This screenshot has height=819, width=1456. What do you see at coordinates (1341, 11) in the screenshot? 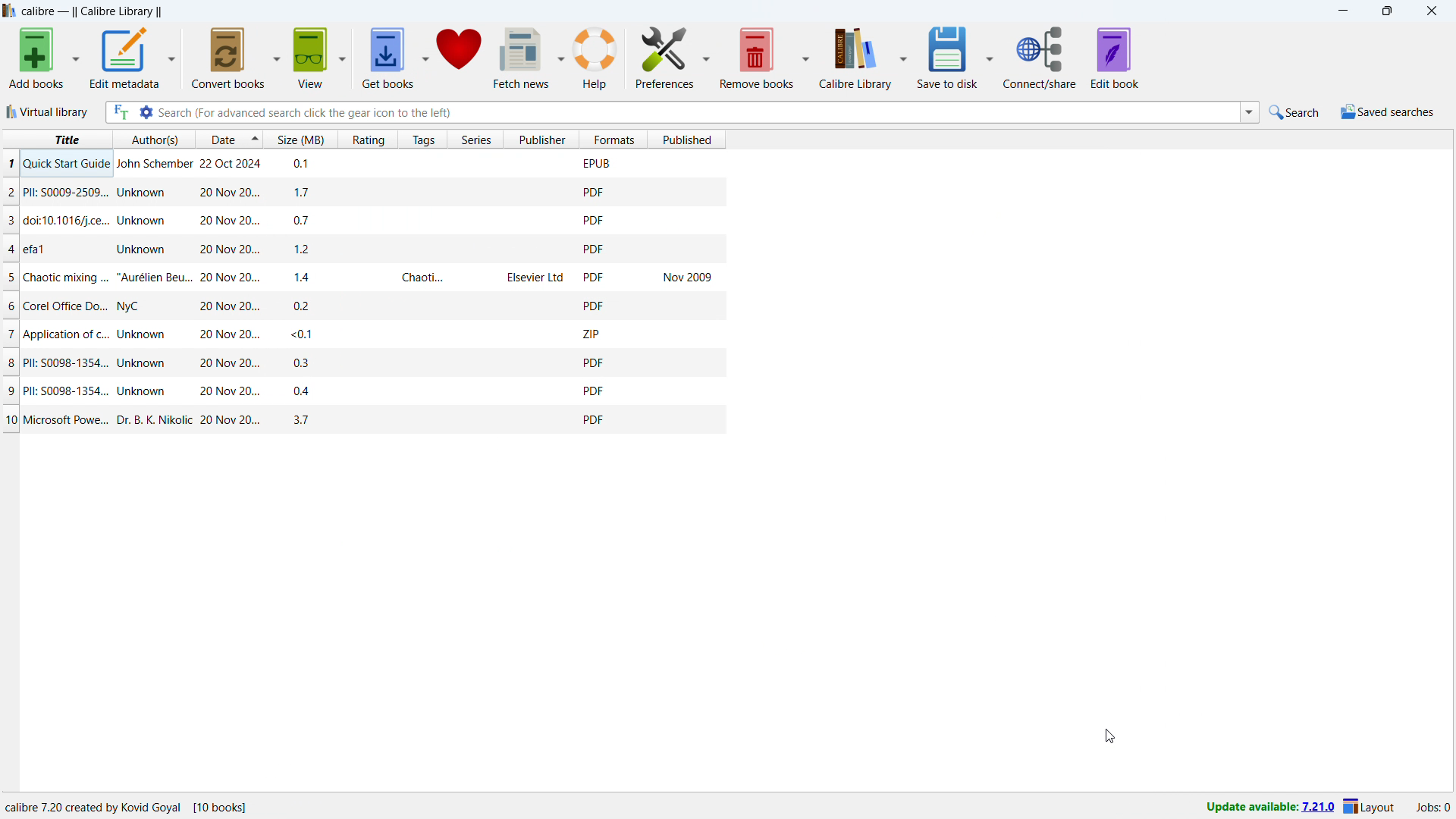
I see `minimize` at bounding box center [1341, 11].